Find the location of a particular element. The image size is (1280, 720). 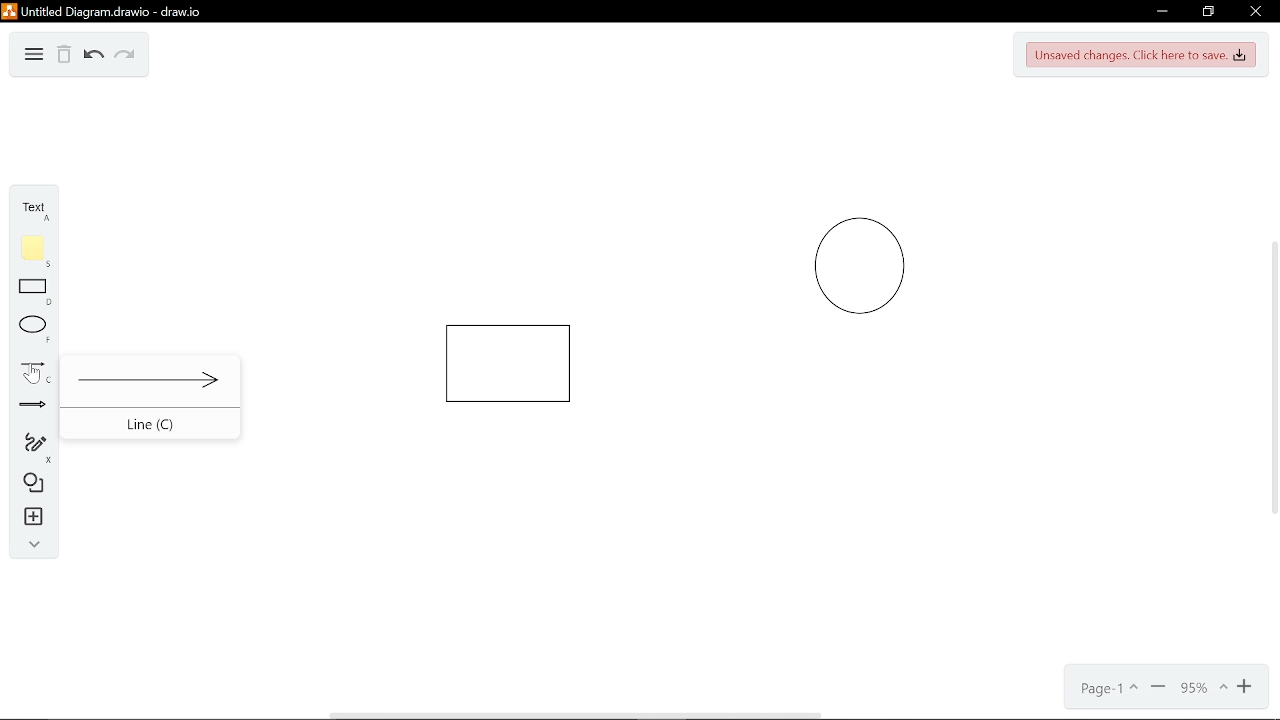

ELlippse is located at coordinates (31, 327).